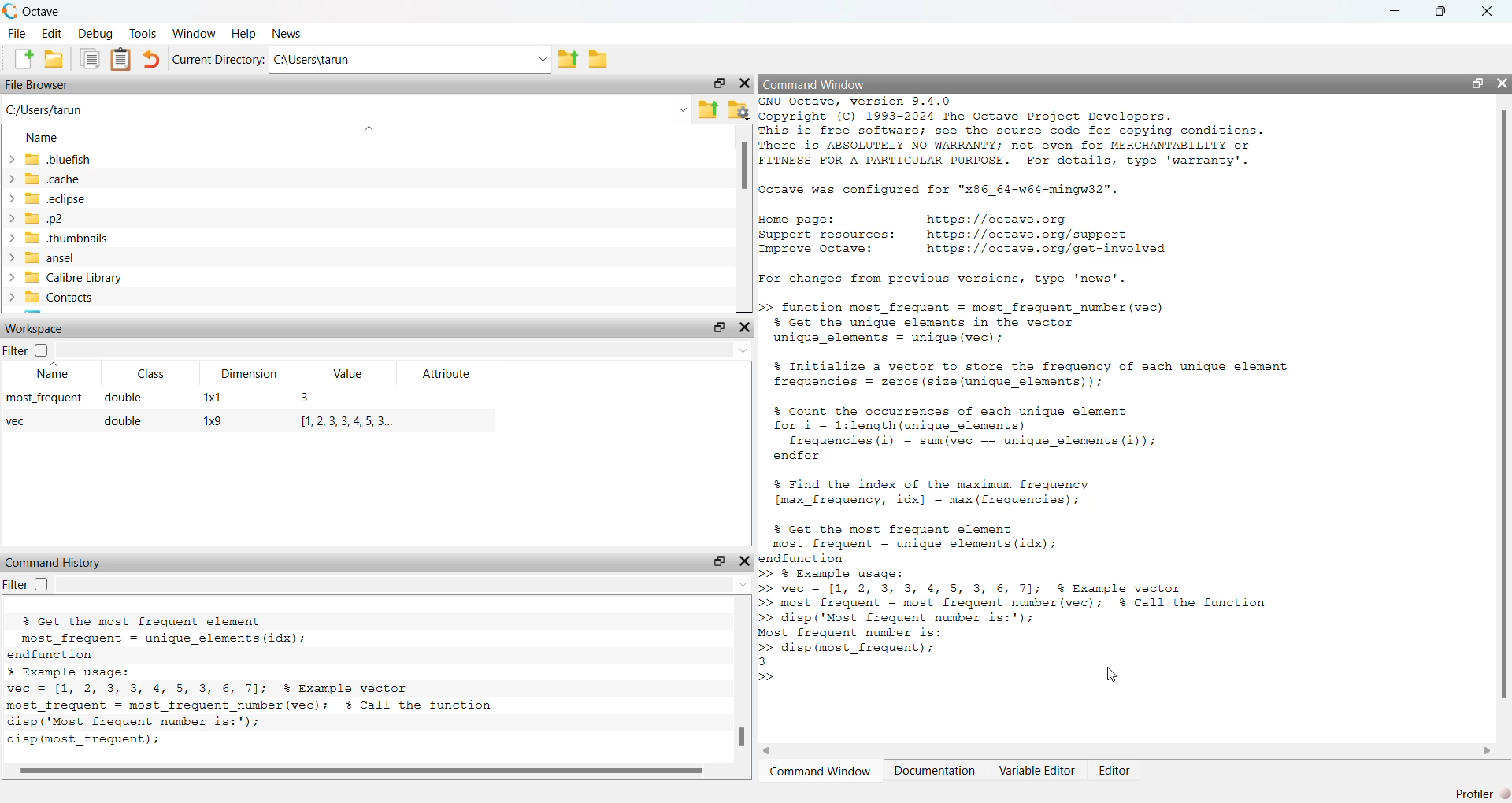  Describe the element at coordinates (42, 12) in the screenshot. I see `Octave` at that location.